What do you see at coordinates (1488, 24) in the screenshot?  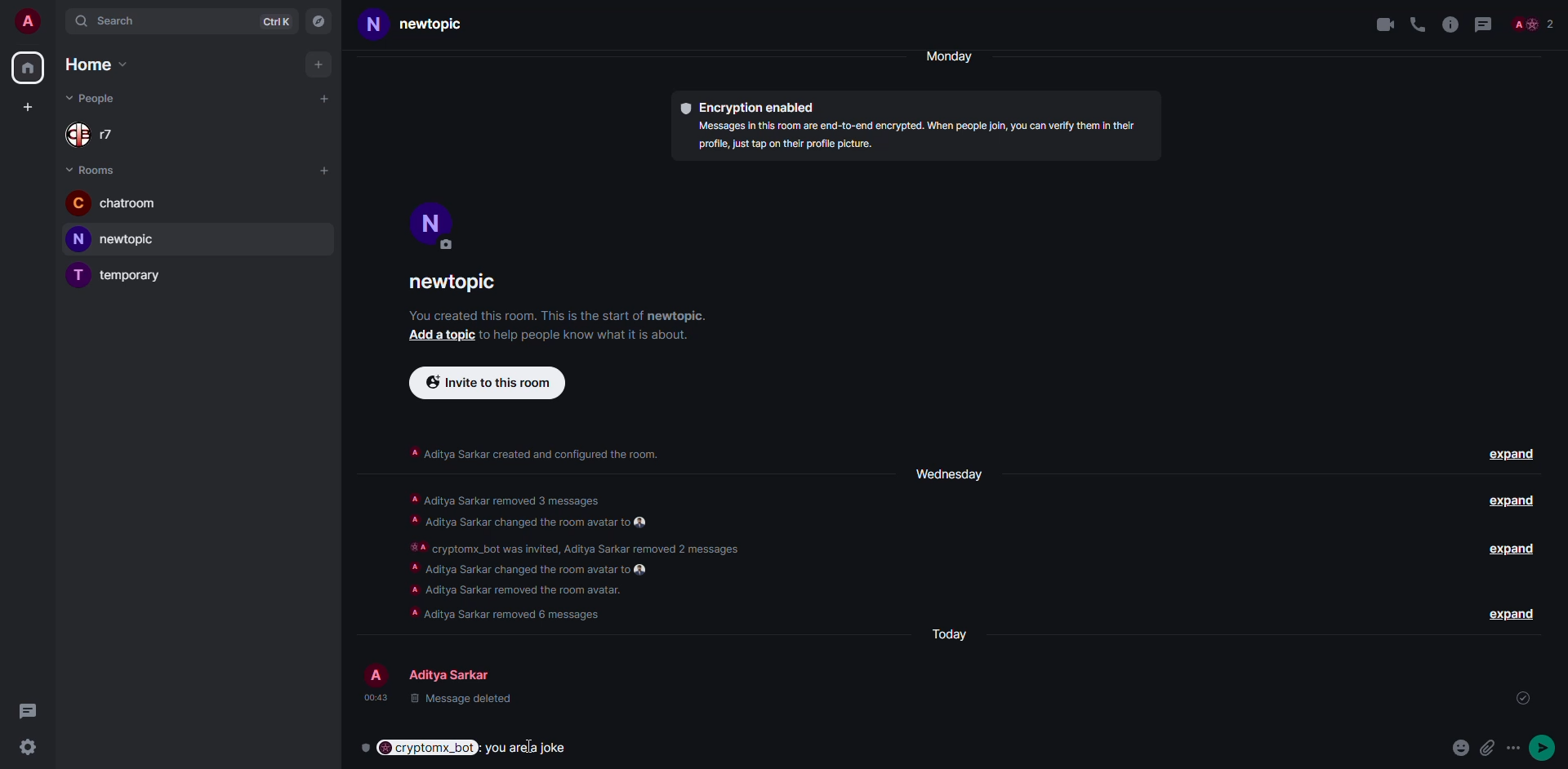 I see `threads` at bounding box center [1488, 24].